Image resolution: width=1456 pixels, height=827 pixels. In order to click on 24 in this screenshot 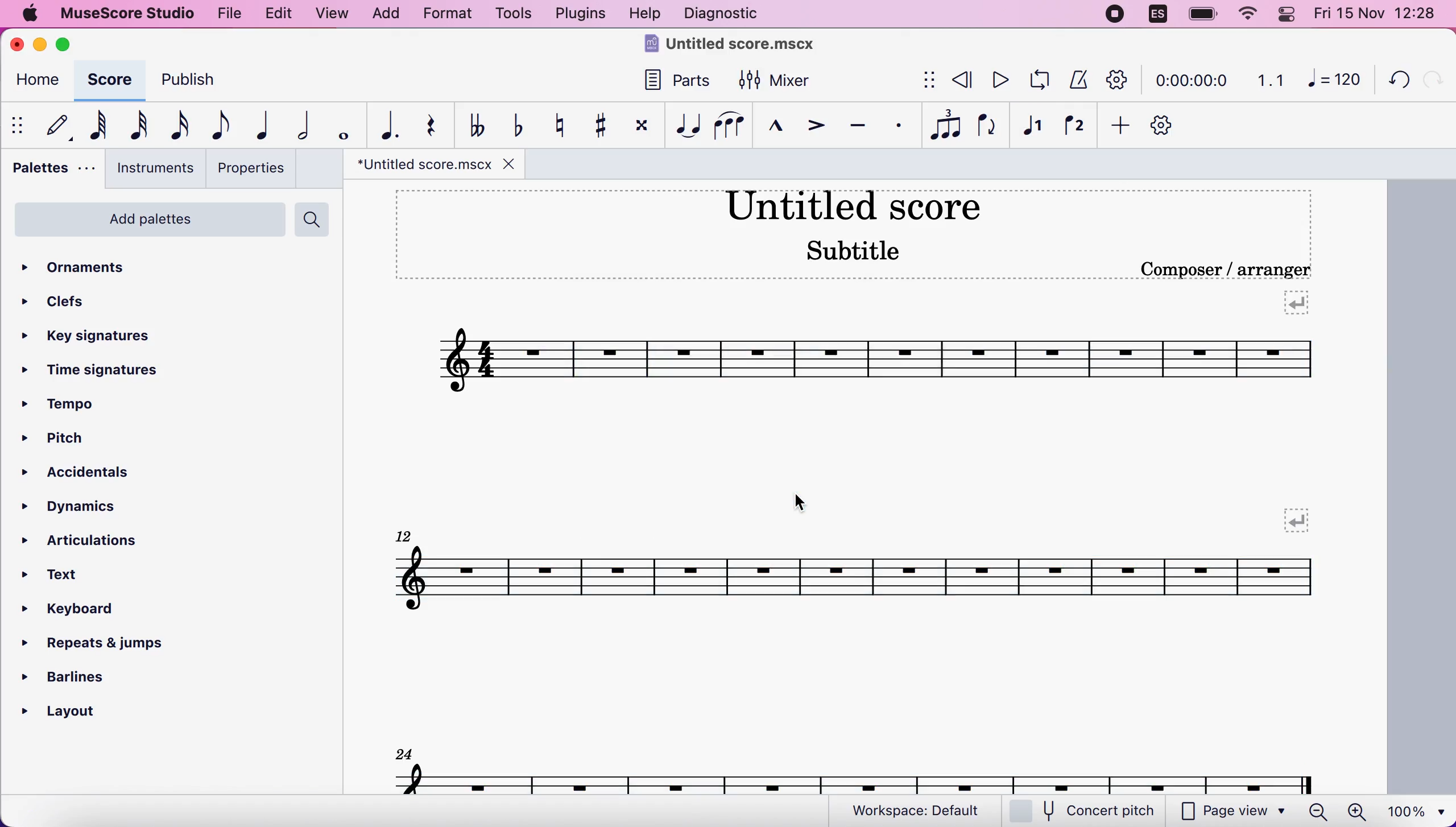, I will do `click(404, 752)`.